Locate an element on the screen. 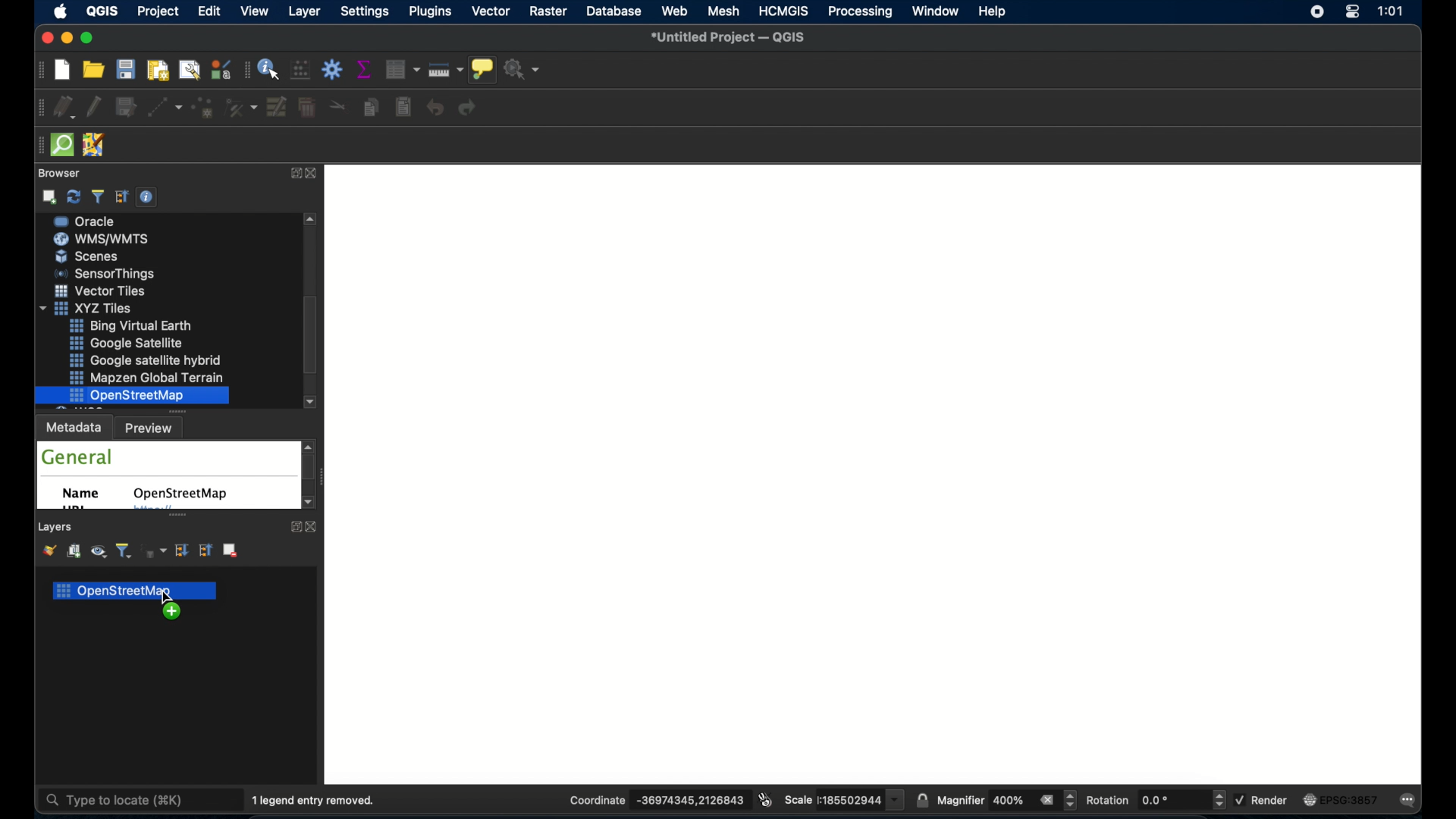 Image resolution: width=1456 pixels, height=819 pixels. enable/disable properties widget is located at coordinates (146, 196).